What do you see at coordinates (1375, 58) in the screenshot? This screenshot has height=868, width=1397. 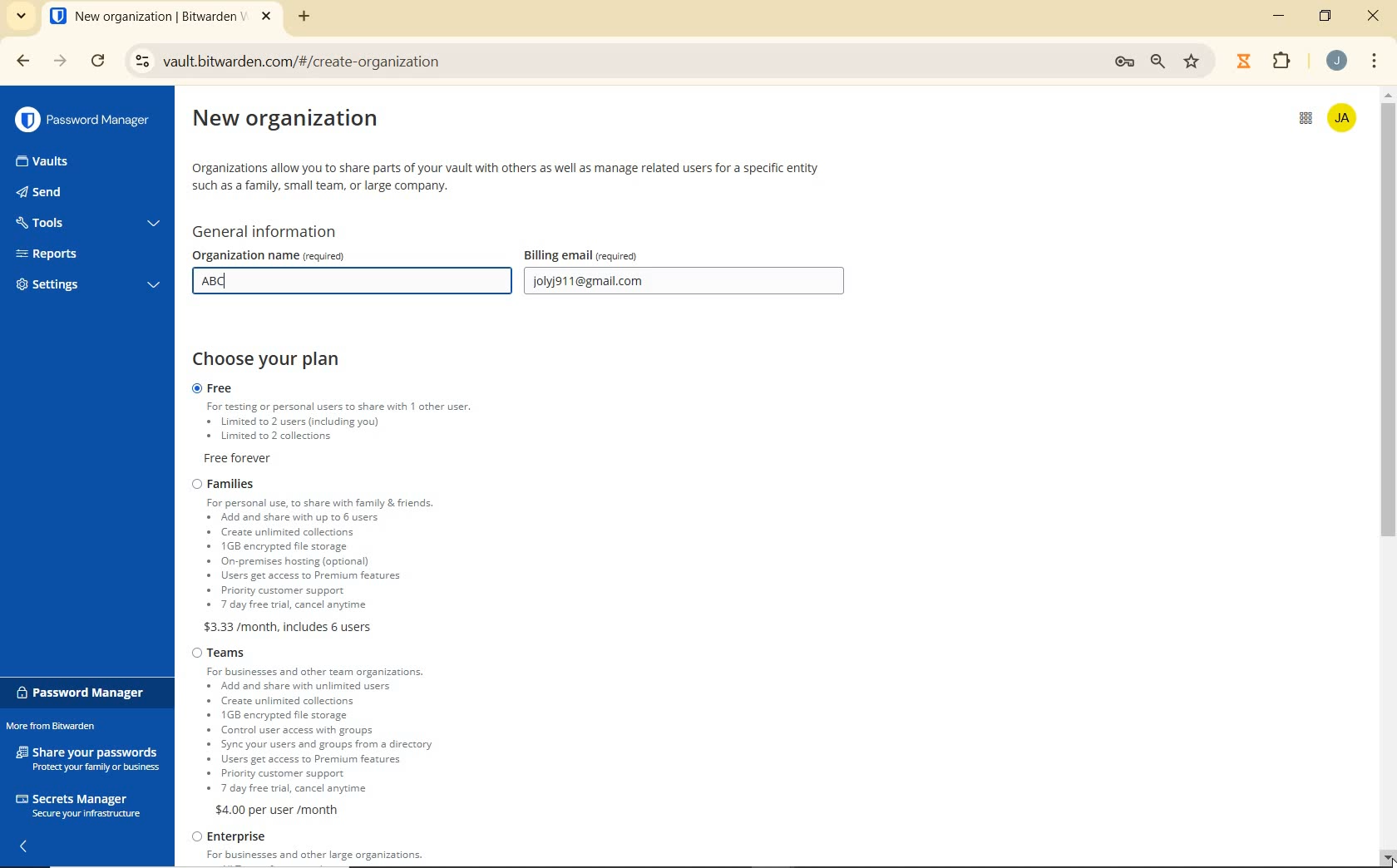 I see `MENU` at bounding box center [1375, 58].